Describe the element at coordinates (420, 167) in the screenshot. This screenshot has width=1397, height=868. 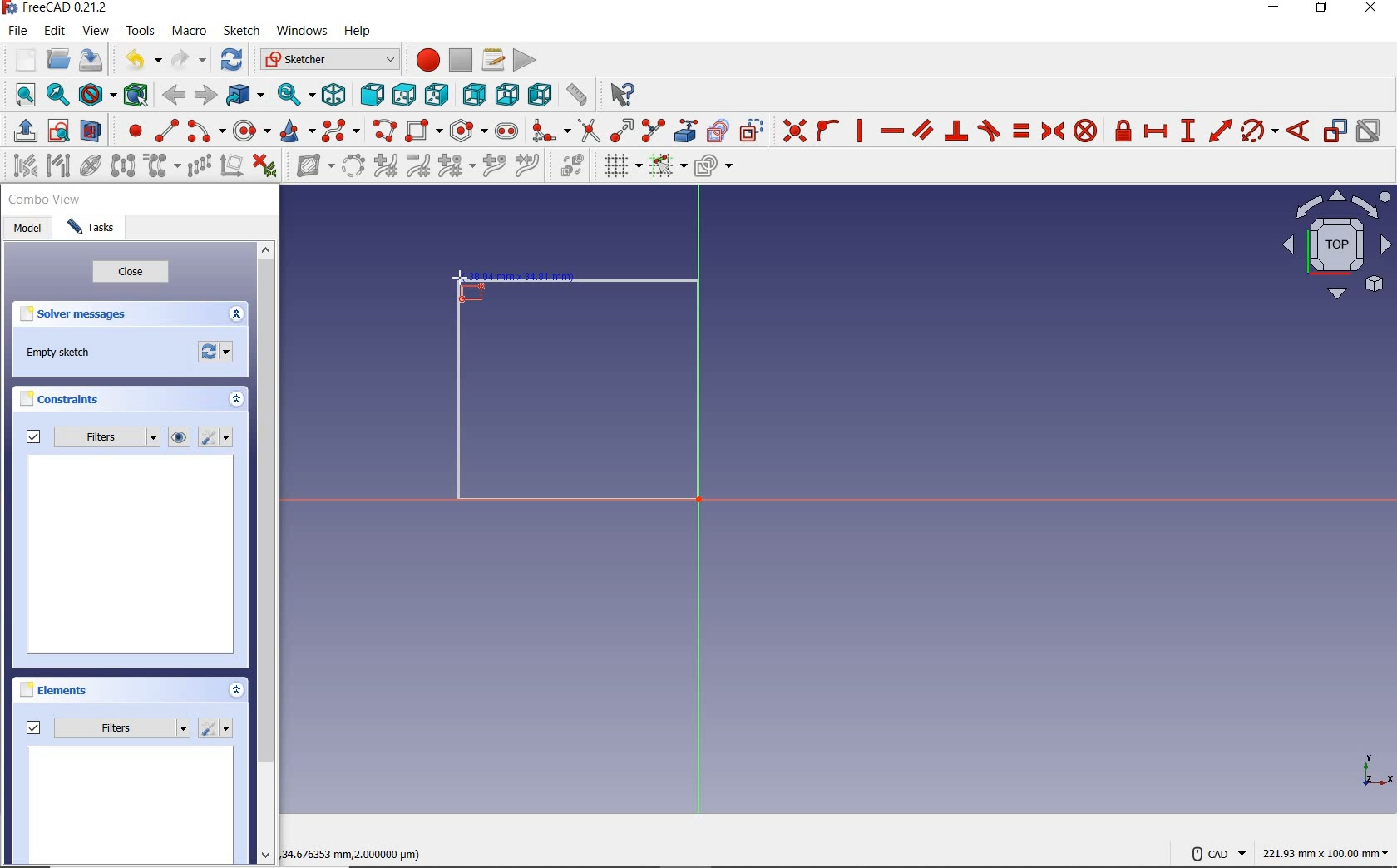
I see `decrease b-spline degree` at that location.